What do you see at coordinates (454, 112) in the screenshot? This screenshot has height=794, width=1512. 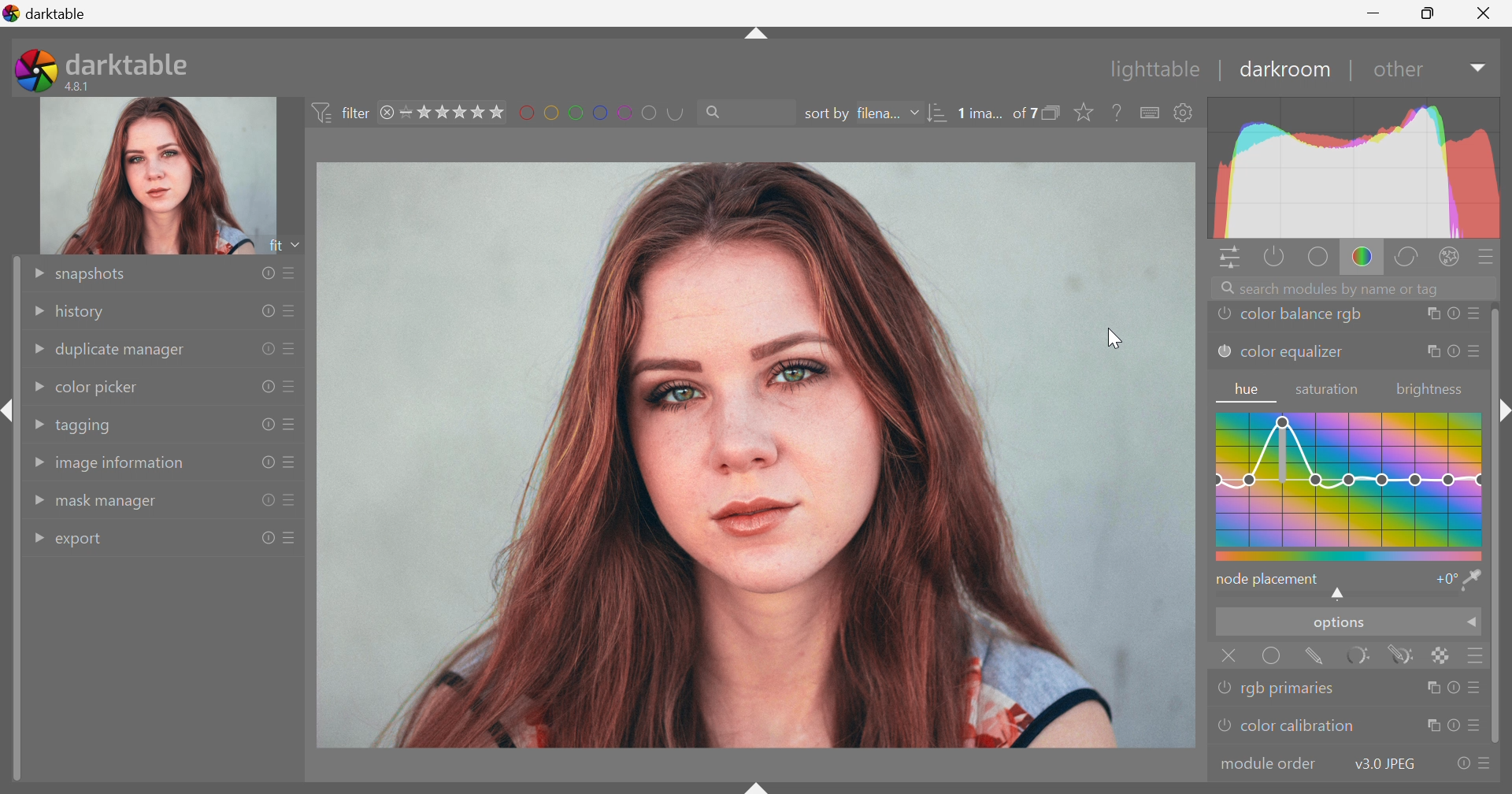 I see `range rating` at bounding box center [454, 112].